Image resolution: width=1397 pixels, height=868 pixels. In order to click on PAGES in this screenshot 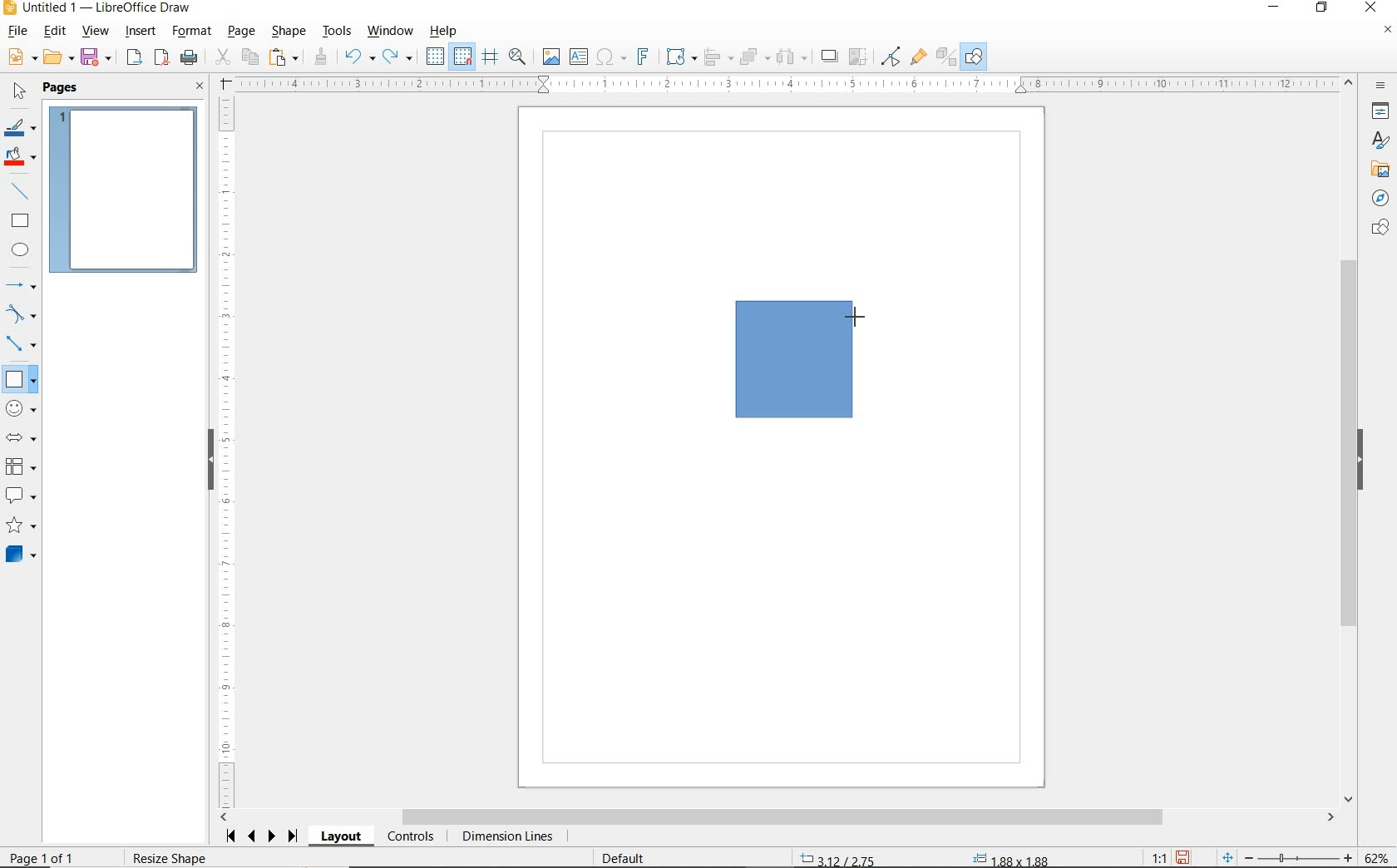, I will do `click(62, 89)`.